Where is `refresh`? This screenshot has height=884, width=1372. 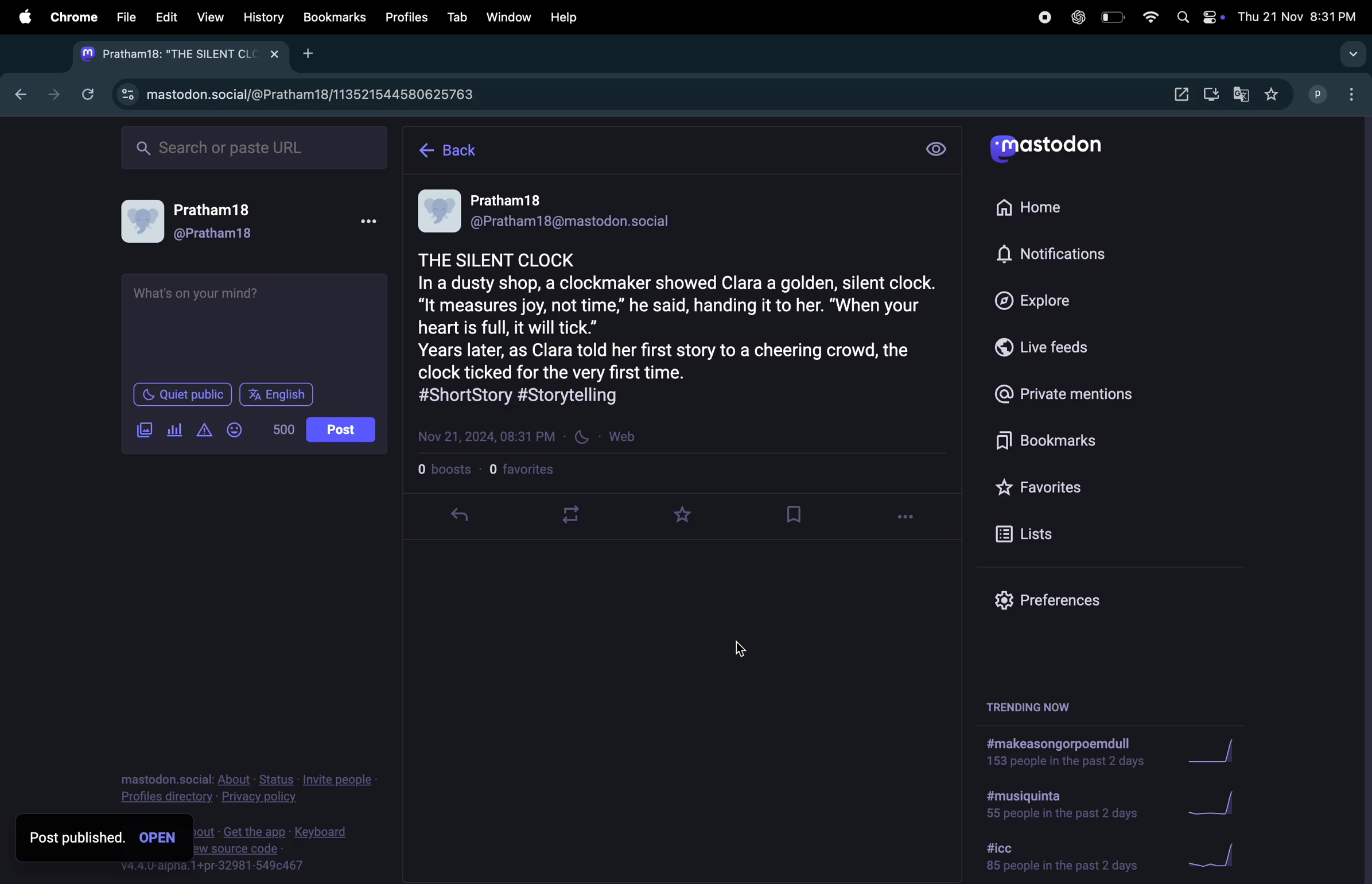
refresh is located at coordinates (83, 94).